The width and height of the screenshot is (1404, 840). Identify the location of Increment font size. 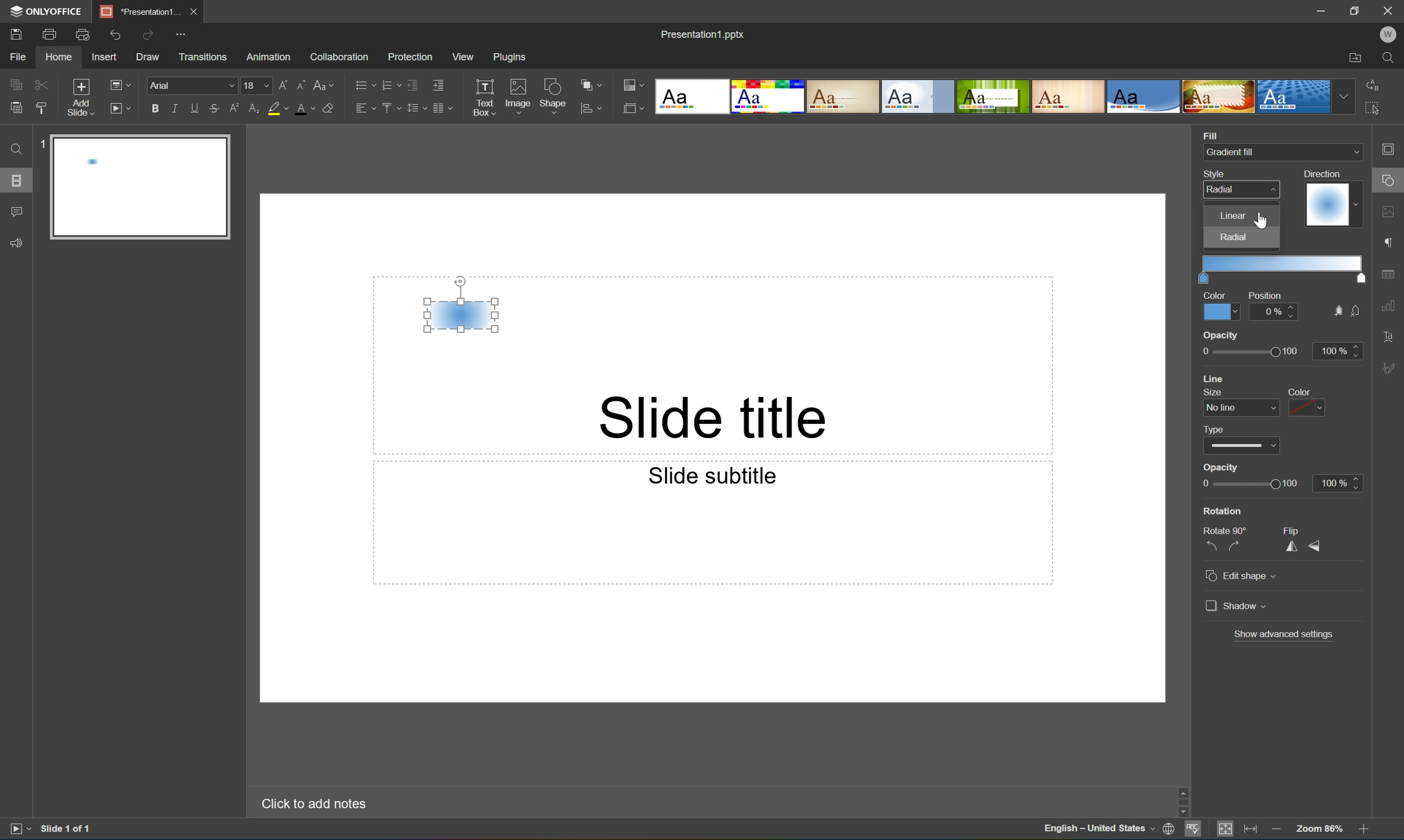
(280, 83).